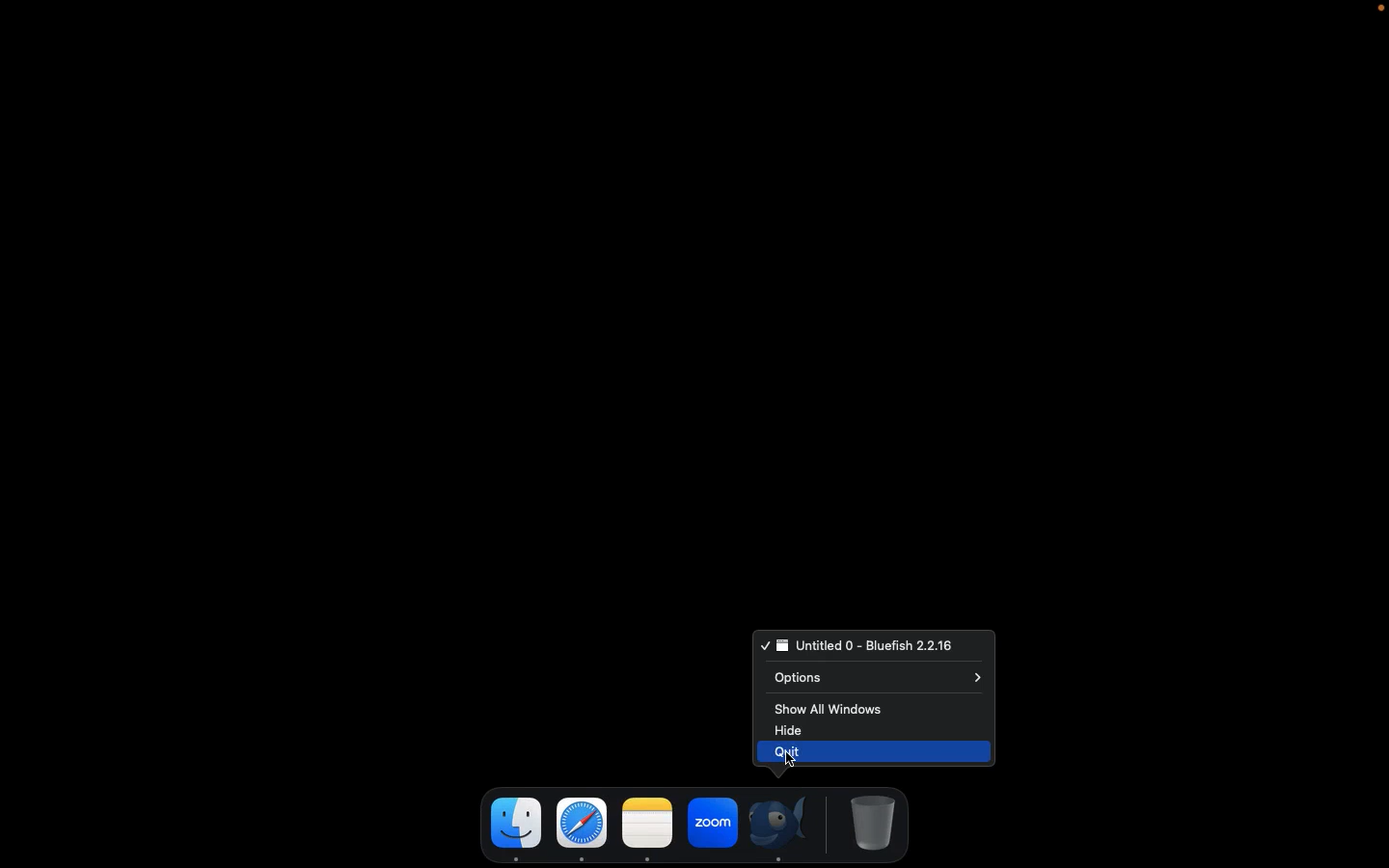 This screenshot has width=1389, height=868. I want to click on note, so click(647, 821).